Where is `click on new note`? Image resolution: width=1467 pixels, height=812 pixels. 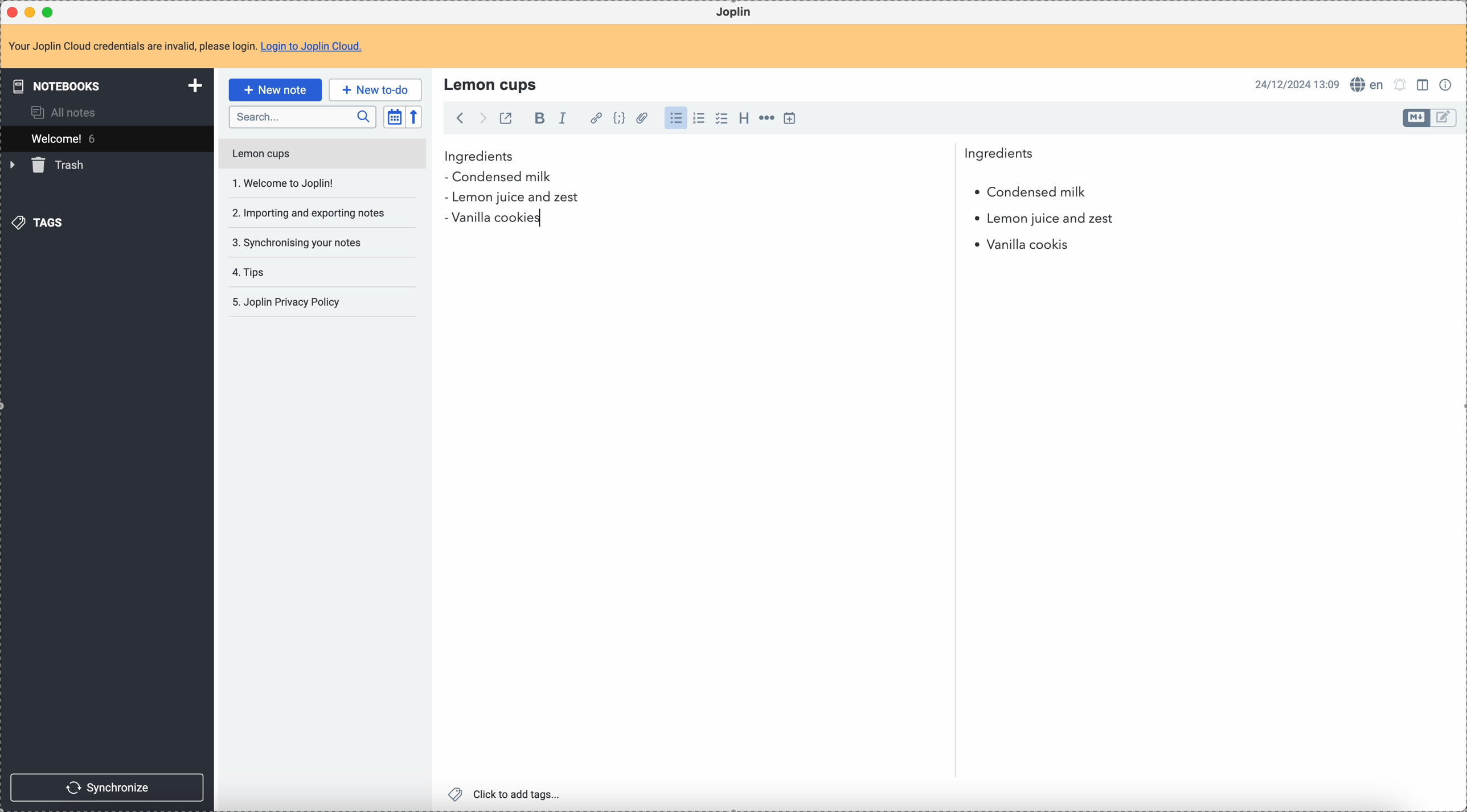 click on new note is located at coordinates (274, 89).